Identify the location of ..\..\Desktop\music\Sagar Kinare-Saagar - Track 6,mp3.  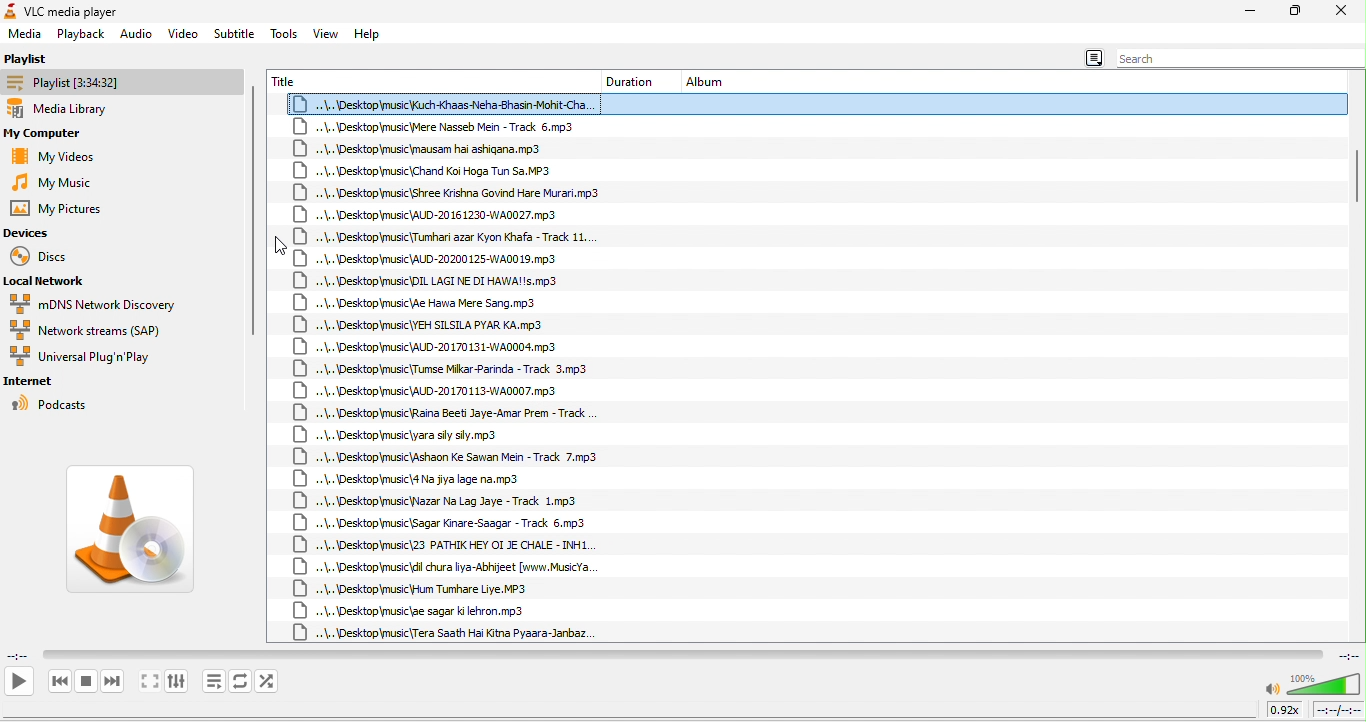
(447, 523).